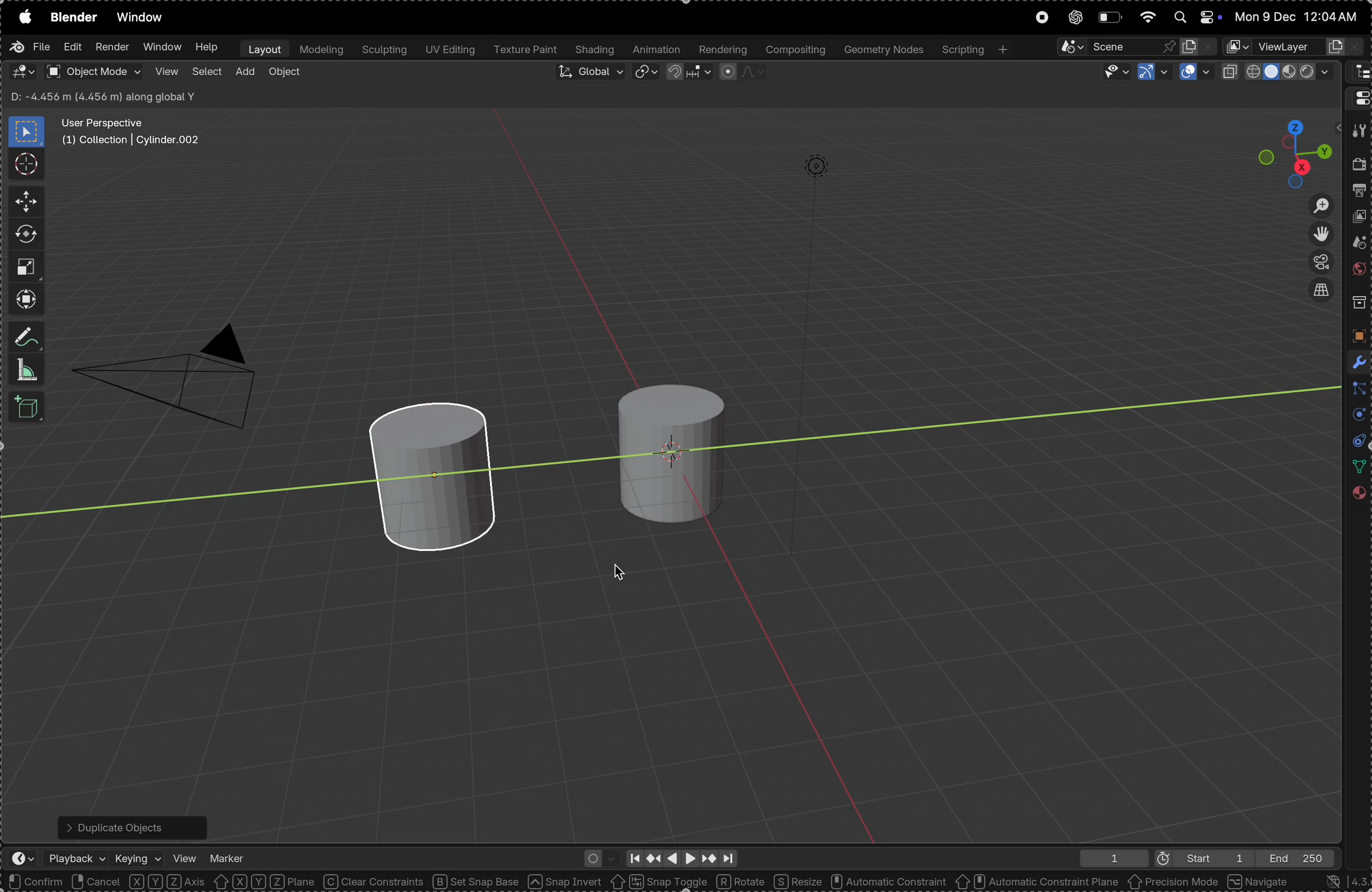 The height and width of the screenshot is (892, 1372). What do you see at coordinates (974, 48) in the screenshot?
I see `scripting +` at bounding box center [974, 48].